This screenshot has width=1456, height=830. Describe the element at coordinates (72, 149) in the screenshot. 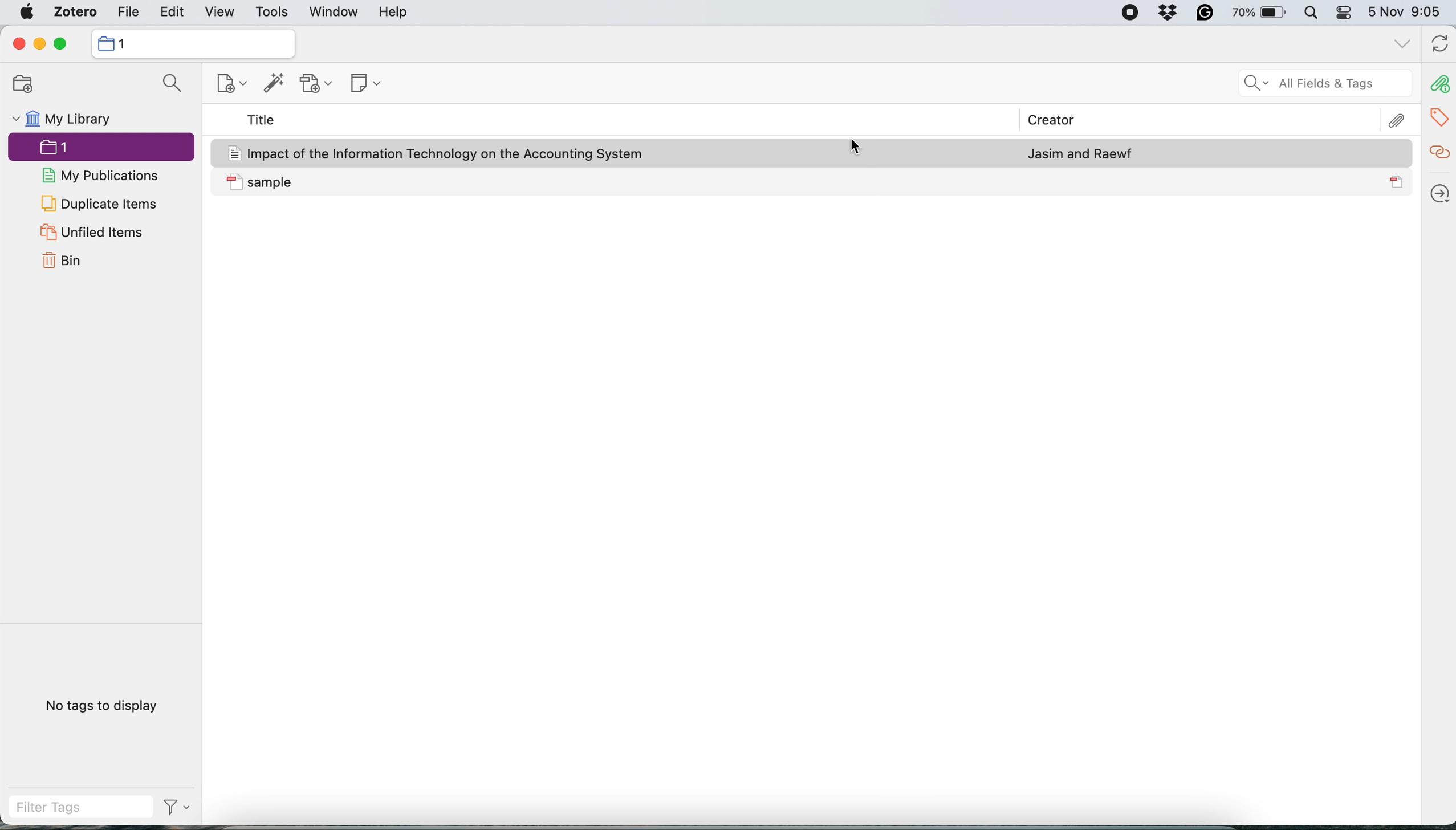

I see `collection` at that location.